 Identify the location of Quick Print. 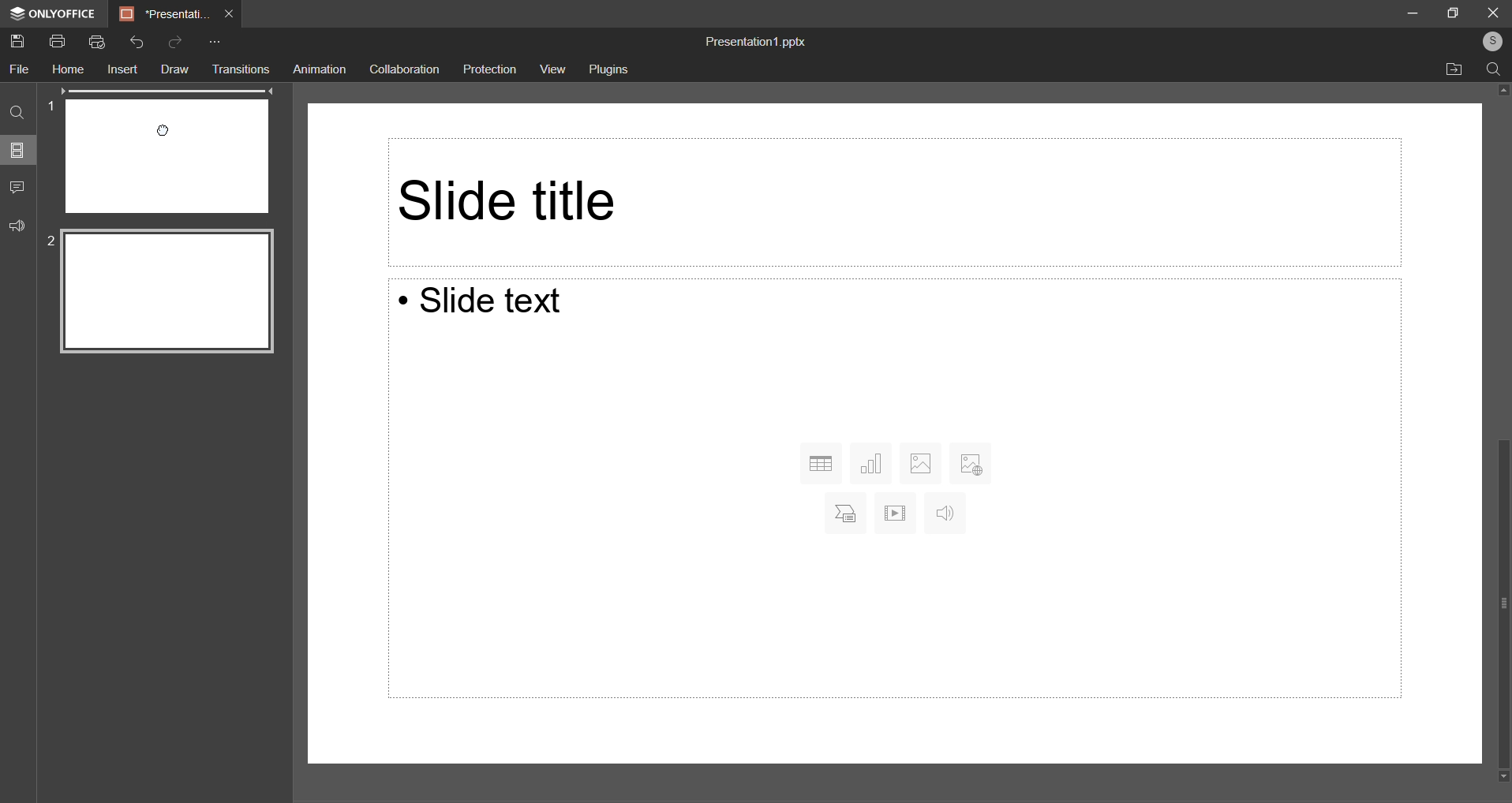
(97, 43).